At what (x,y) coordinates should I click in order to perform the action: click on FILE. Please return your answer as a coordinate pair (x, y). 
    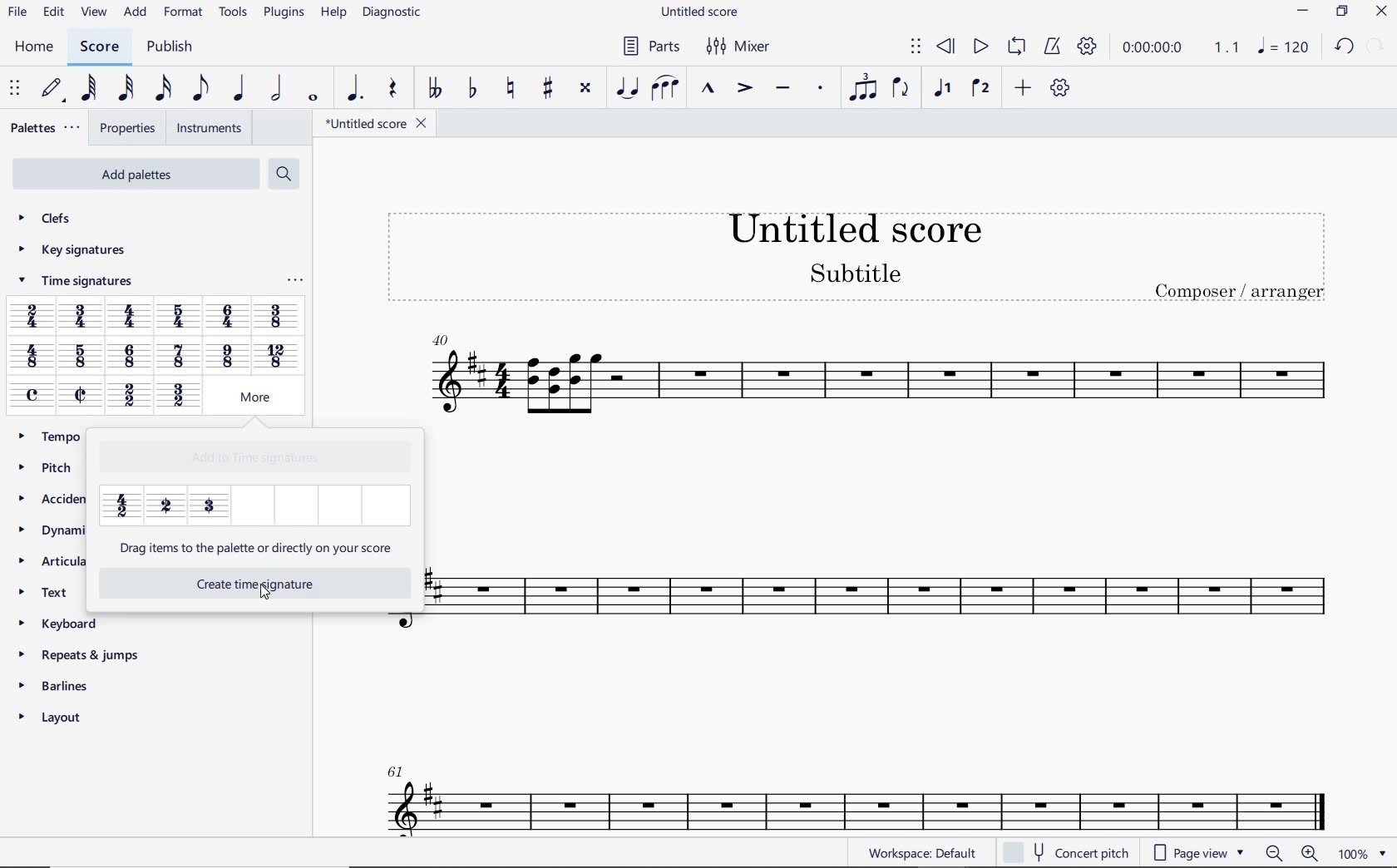
    Looking at the image, I should click on (17, 13).